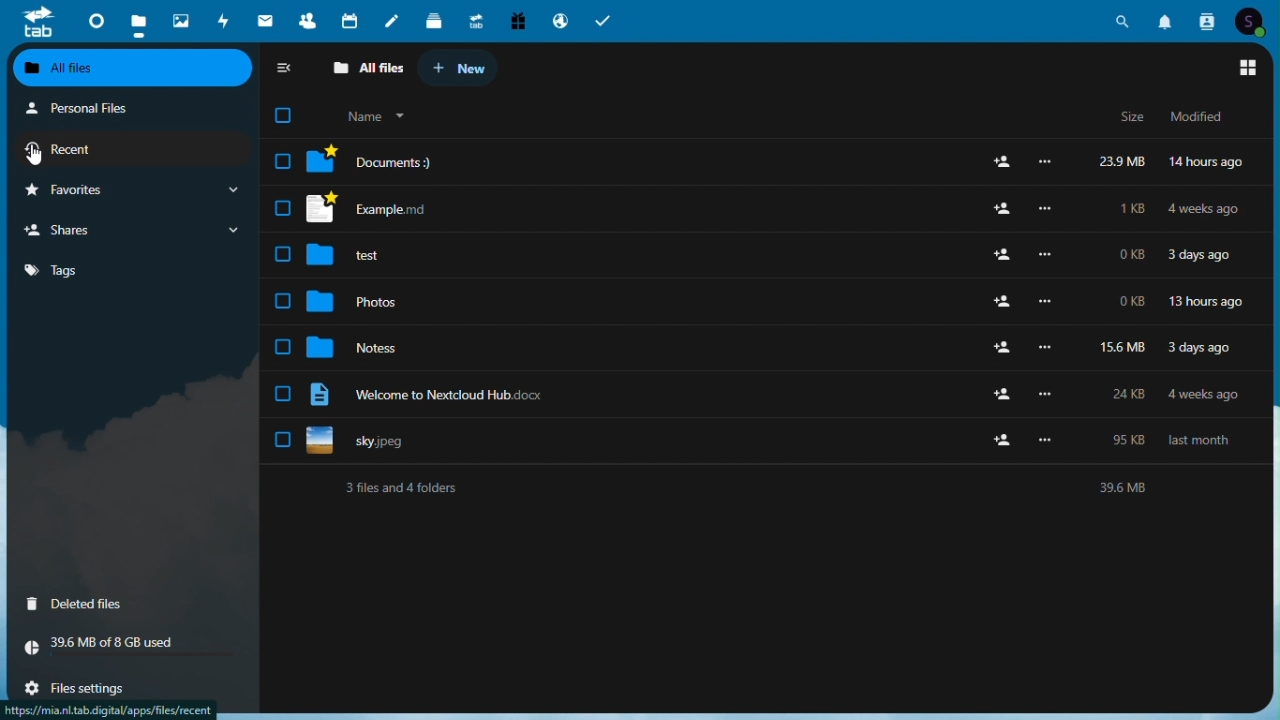 The image size is (1280, 720). Describe the element at coordinates (73, 274) in the screenshot. I see `tags` at that location.